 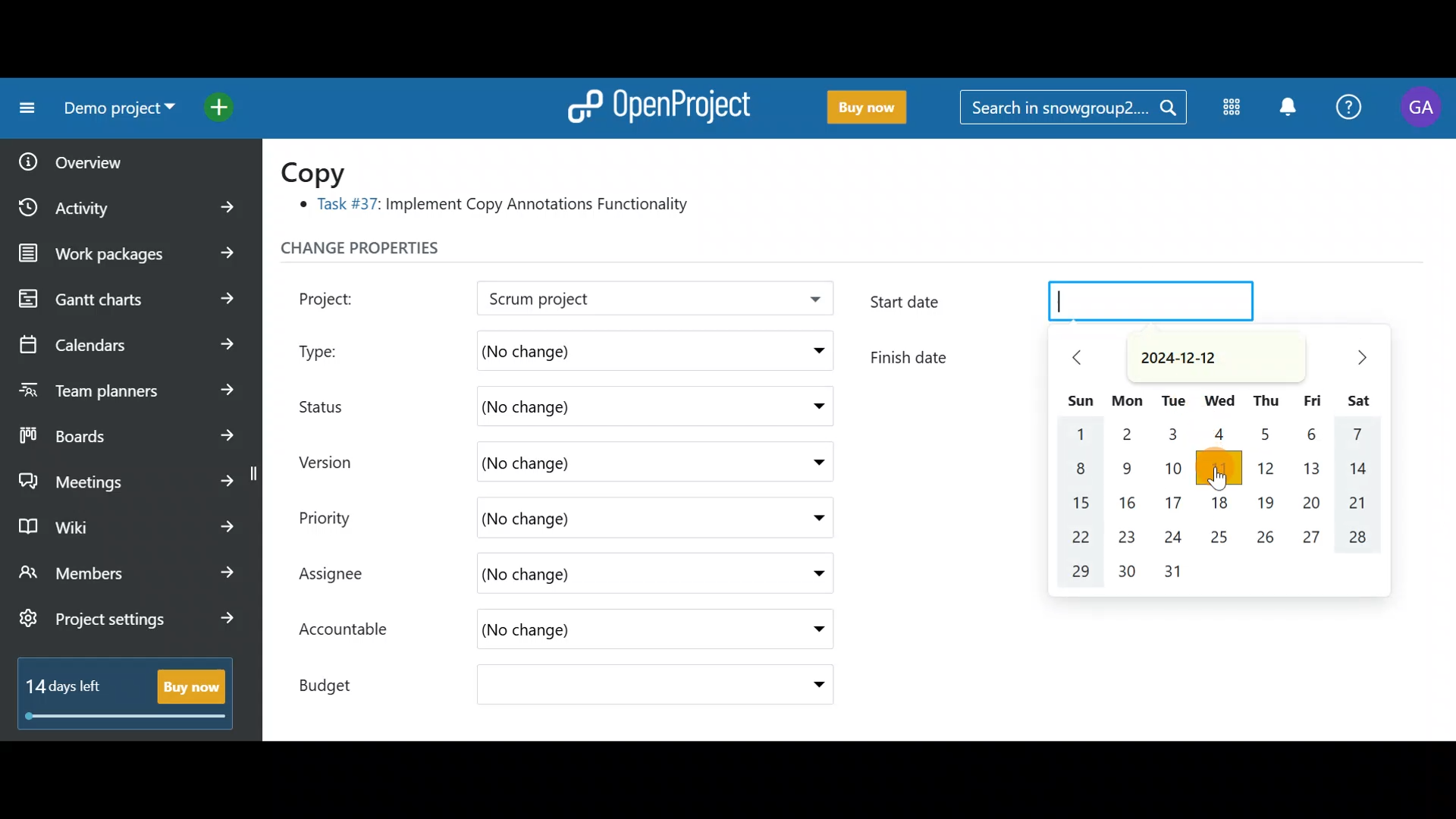 What do you see at coordinates (127, 478) in the screenshot?
I see `Meetings` at bounding box center [127, 478].